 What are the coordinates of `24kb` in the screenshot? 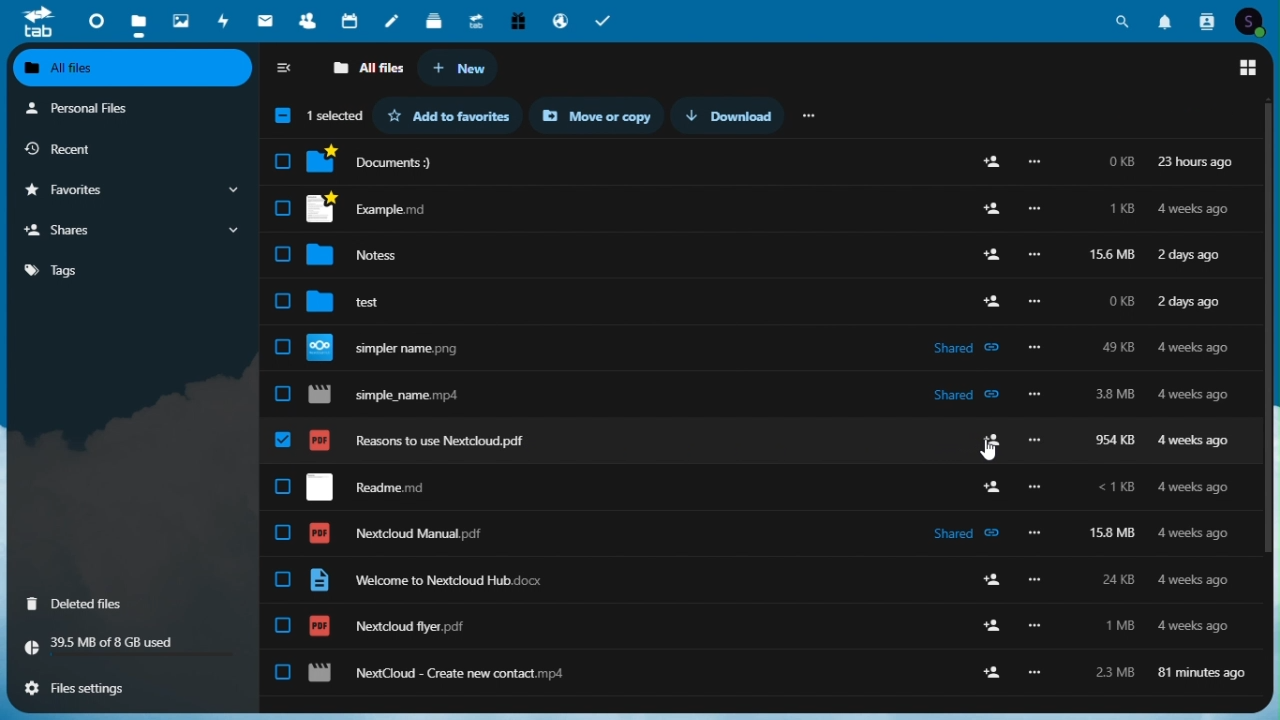 It's located at (1116, 579).